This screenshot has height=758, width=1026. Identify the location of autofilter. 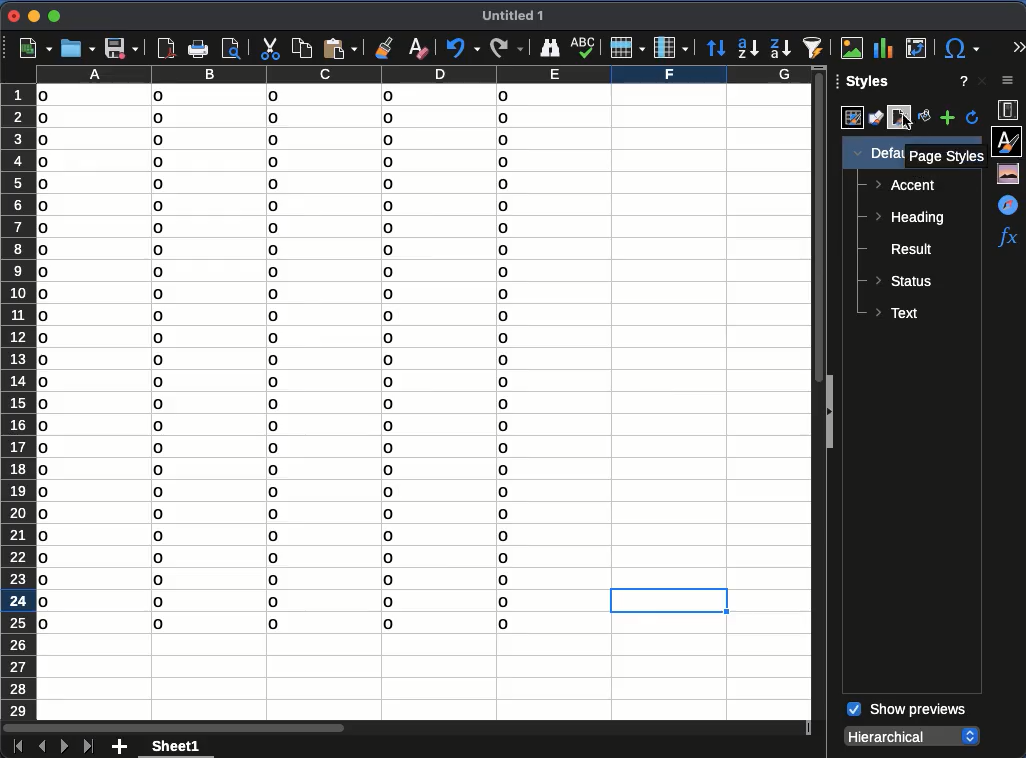
(814, 46).